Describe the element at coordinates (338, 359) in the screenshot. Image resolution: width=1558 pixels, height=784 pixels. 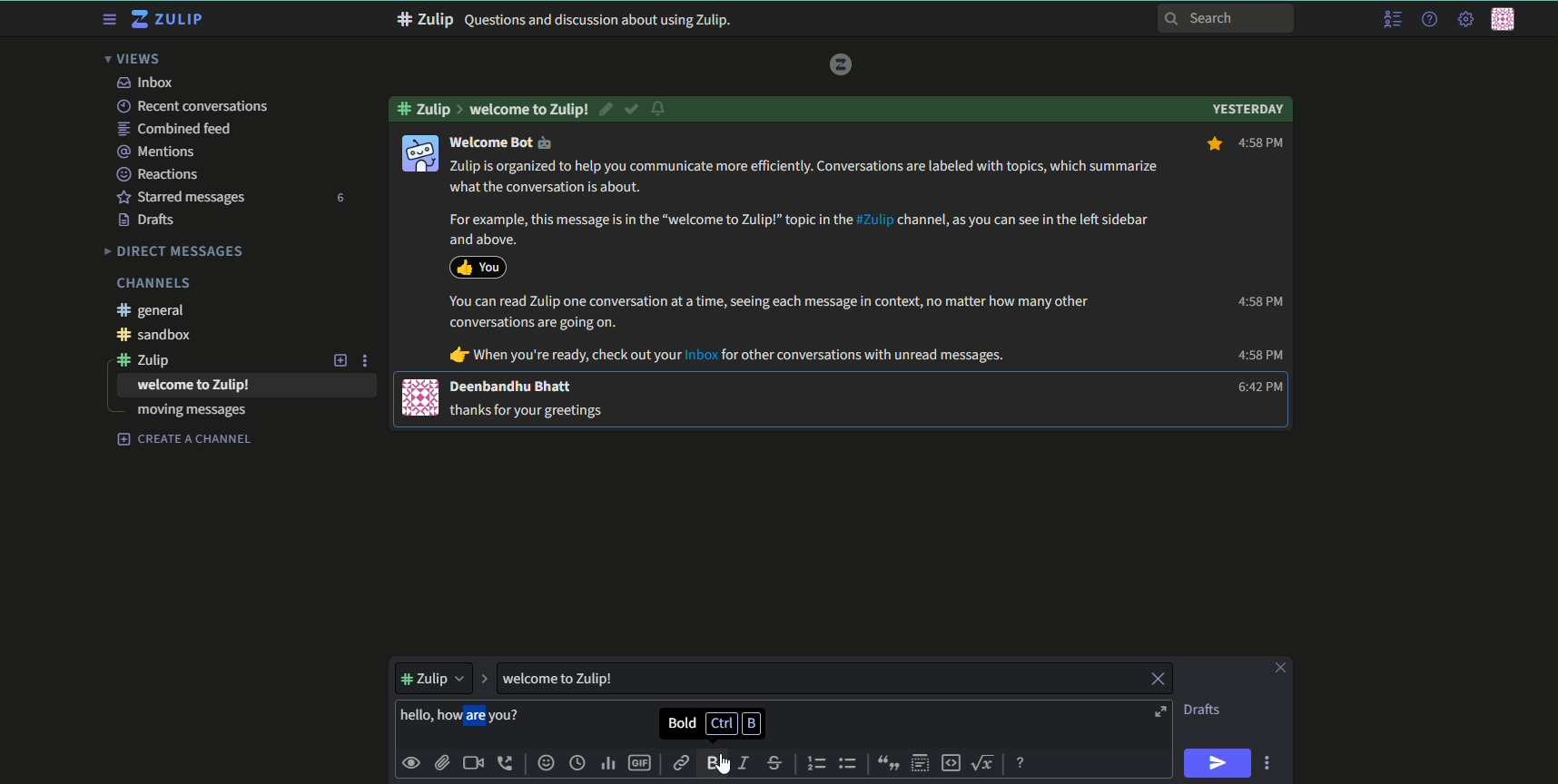
I see `add` at that location.